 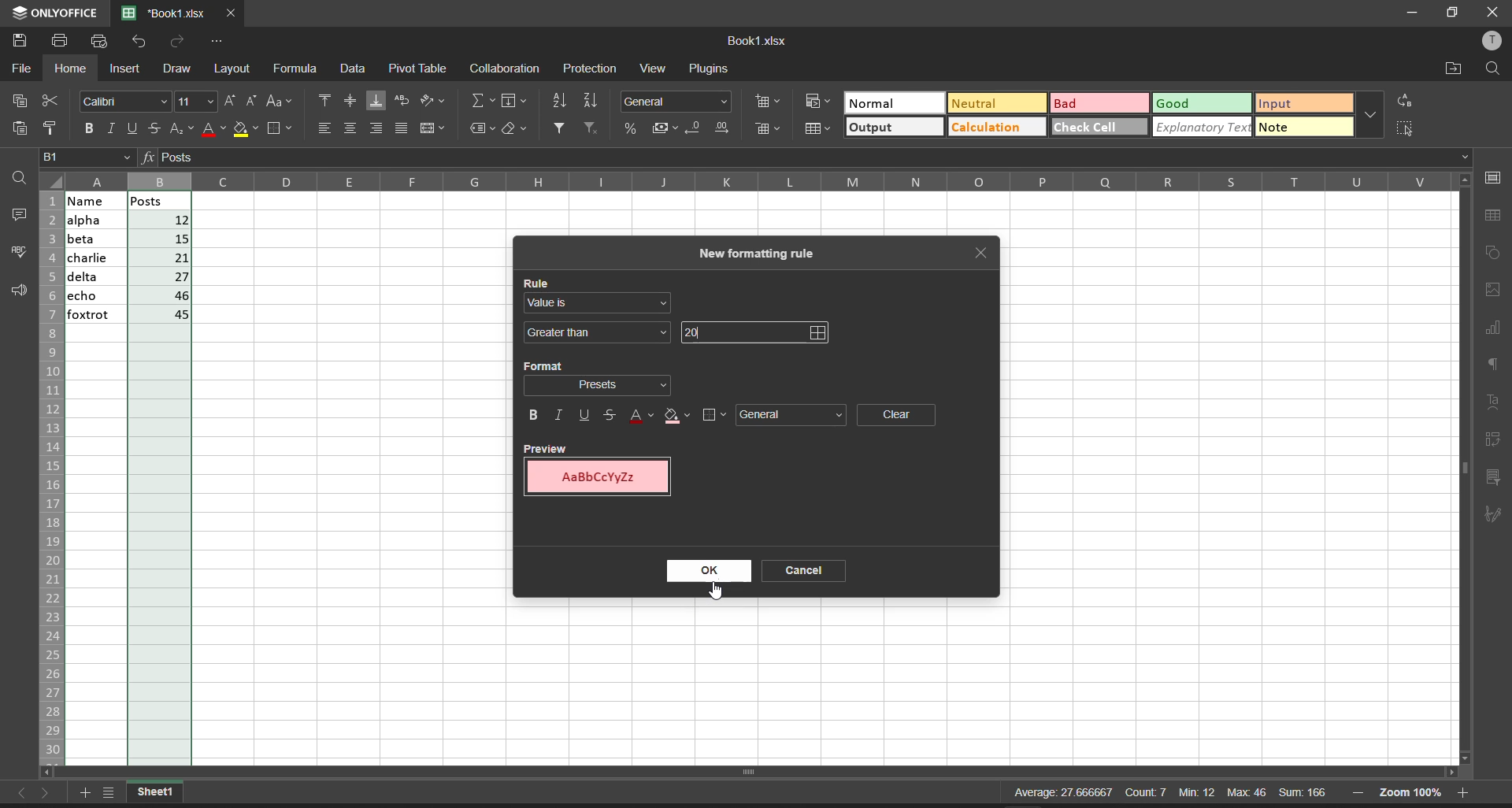 What do you see at coordinates (476, 101) in the screenshot?
I see `summation` at bounding box center [476, 101].